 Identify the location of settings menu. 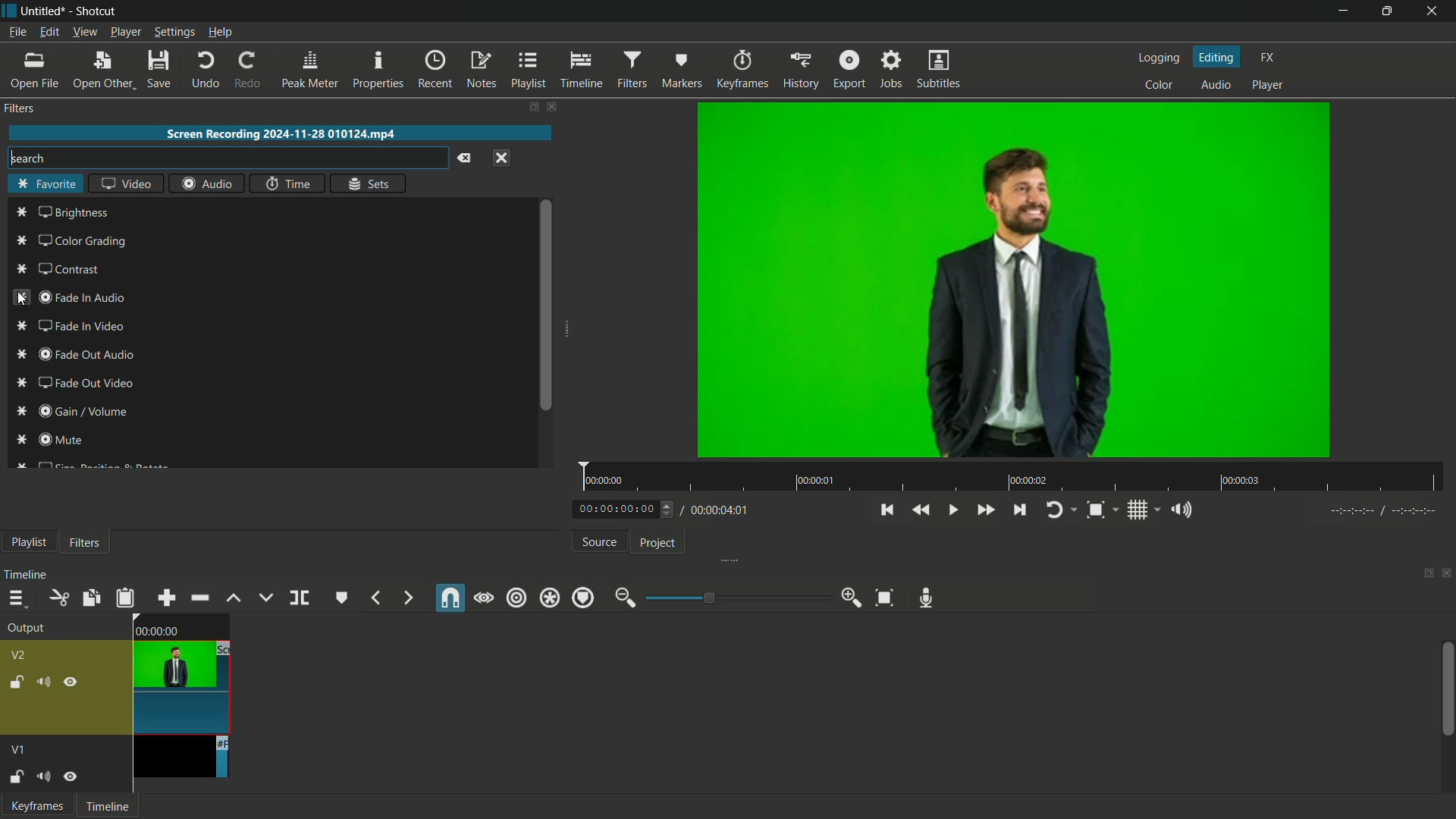
(174, 32).